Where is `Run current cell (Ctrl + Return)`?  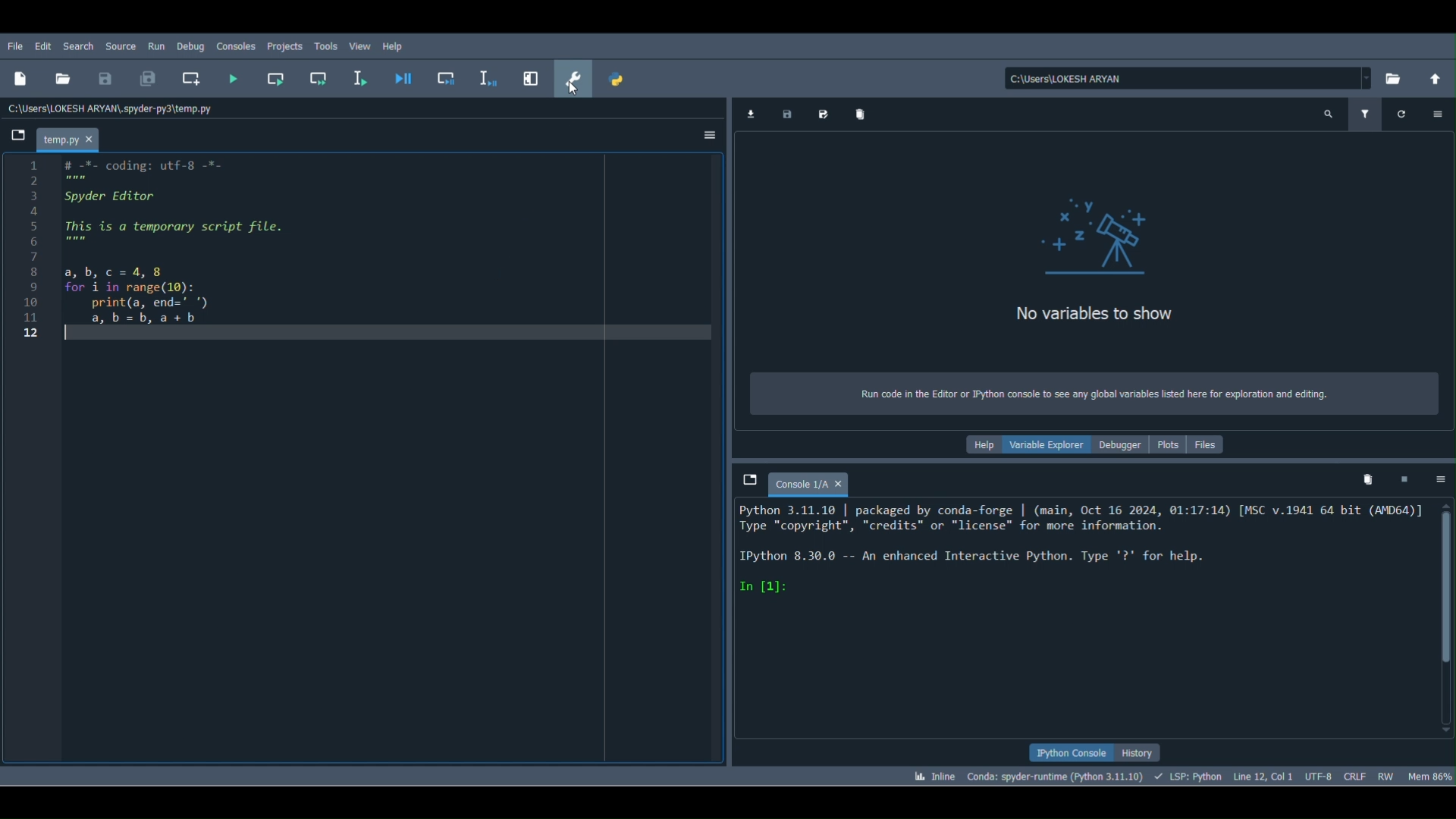 Run current cell (Ctrl + Return) is located at coordinates (276, 80).